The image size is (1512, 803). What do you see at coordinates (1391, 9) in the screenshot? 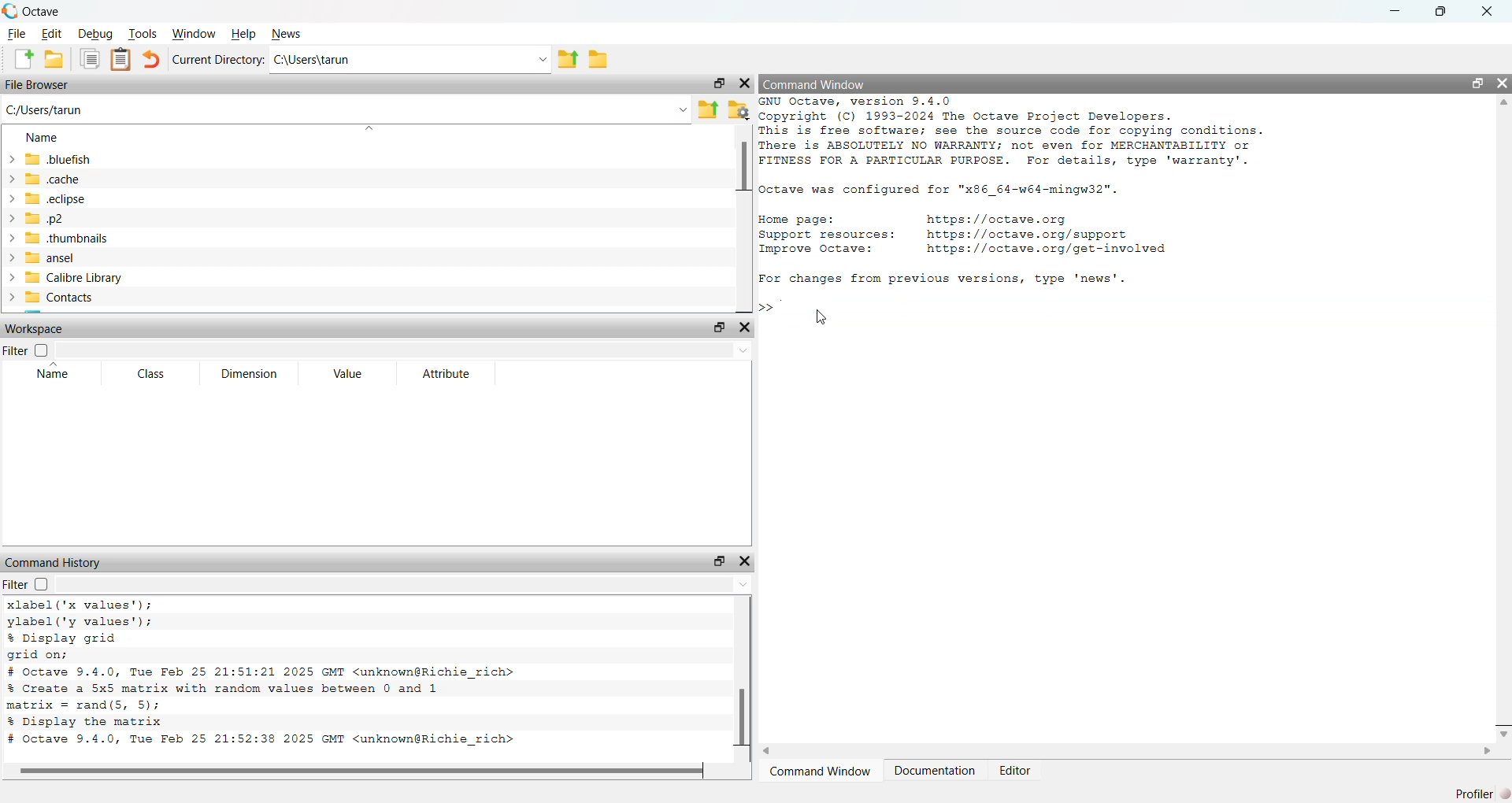
I see `minimise` at bounding box center [1391, 9].